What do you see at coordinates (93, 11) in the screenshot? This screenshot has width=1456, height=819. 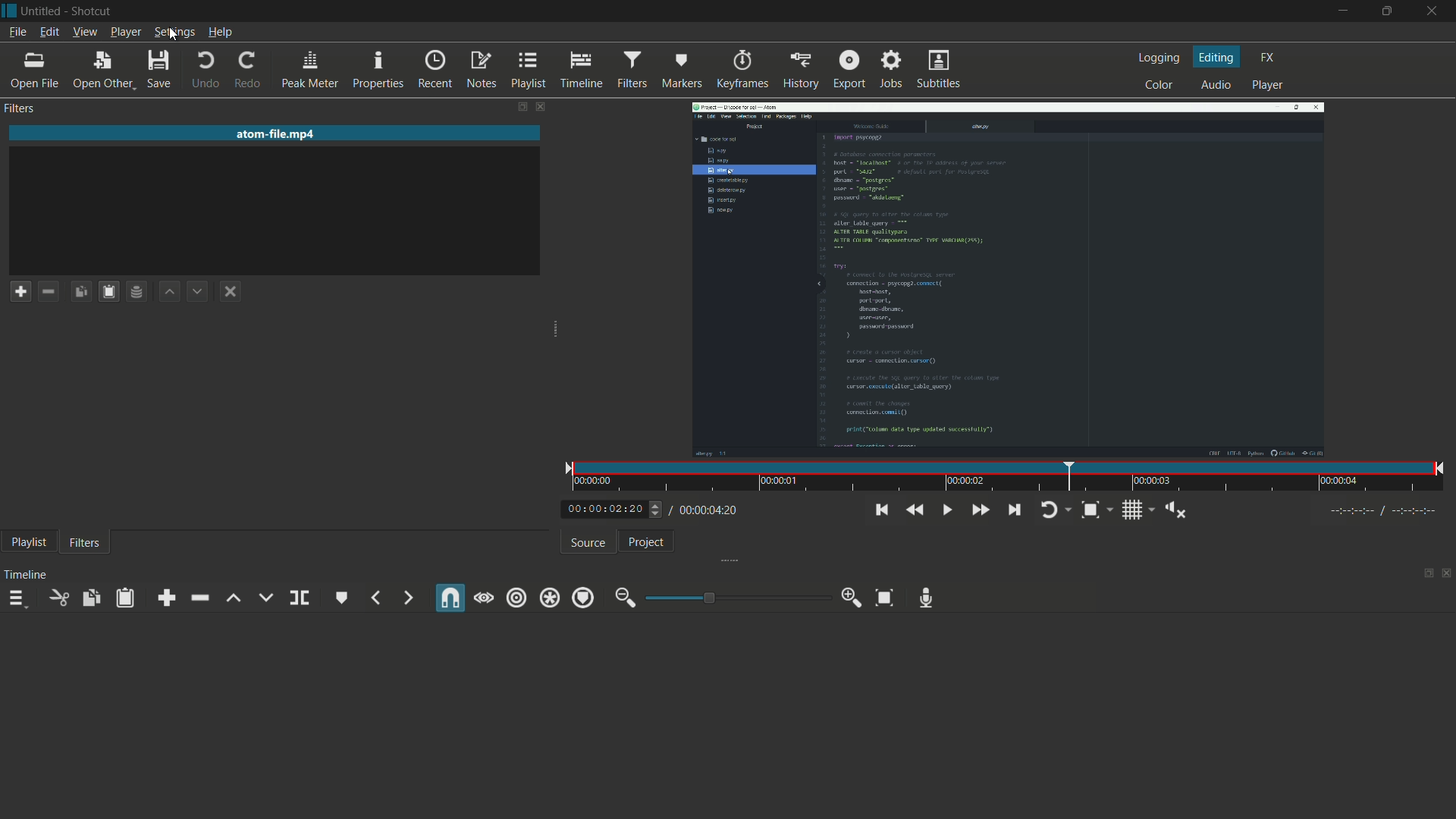 I see `app name` at bounding box center [93, 11].